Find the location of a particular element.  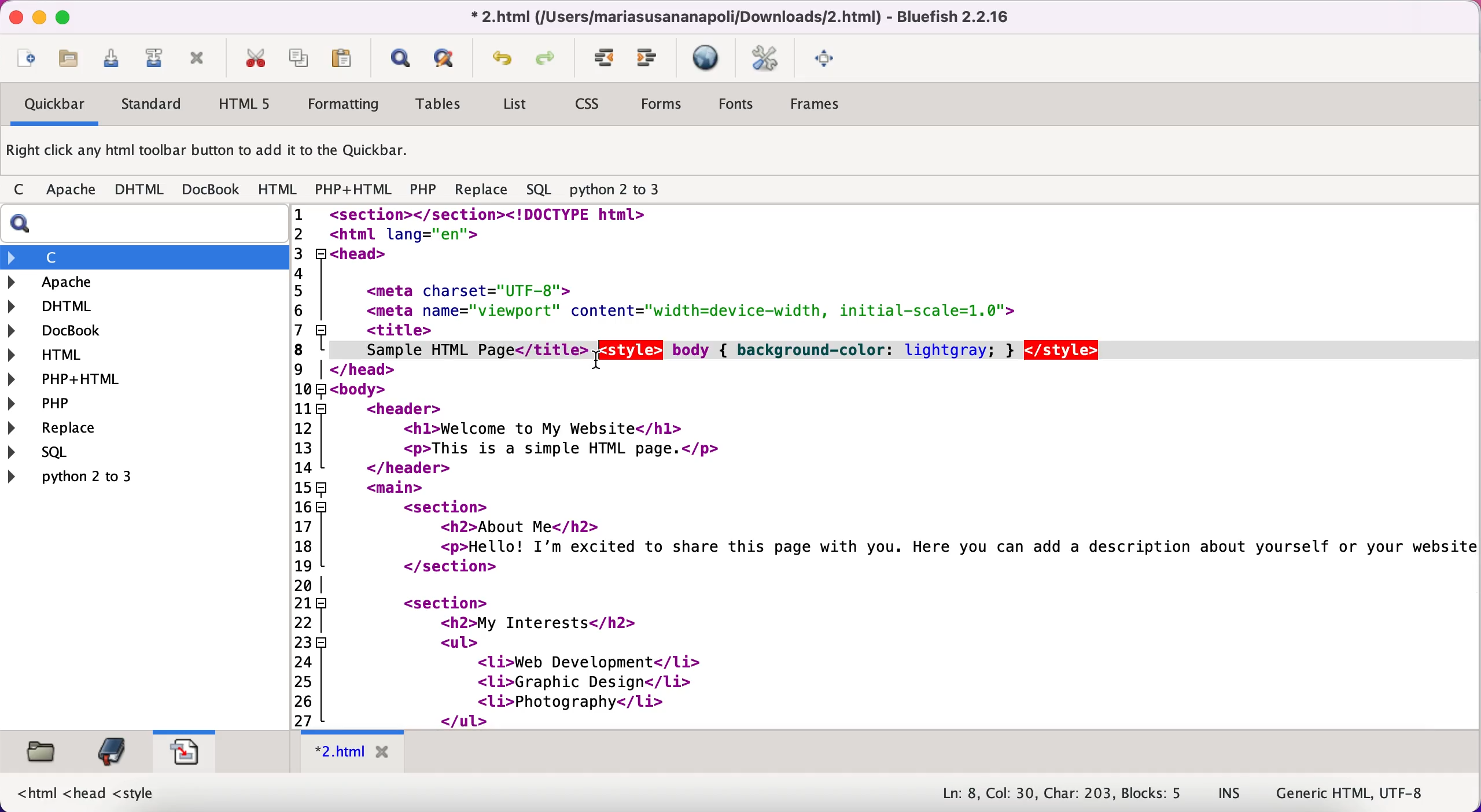

copy is located at coordinates (301, 57).